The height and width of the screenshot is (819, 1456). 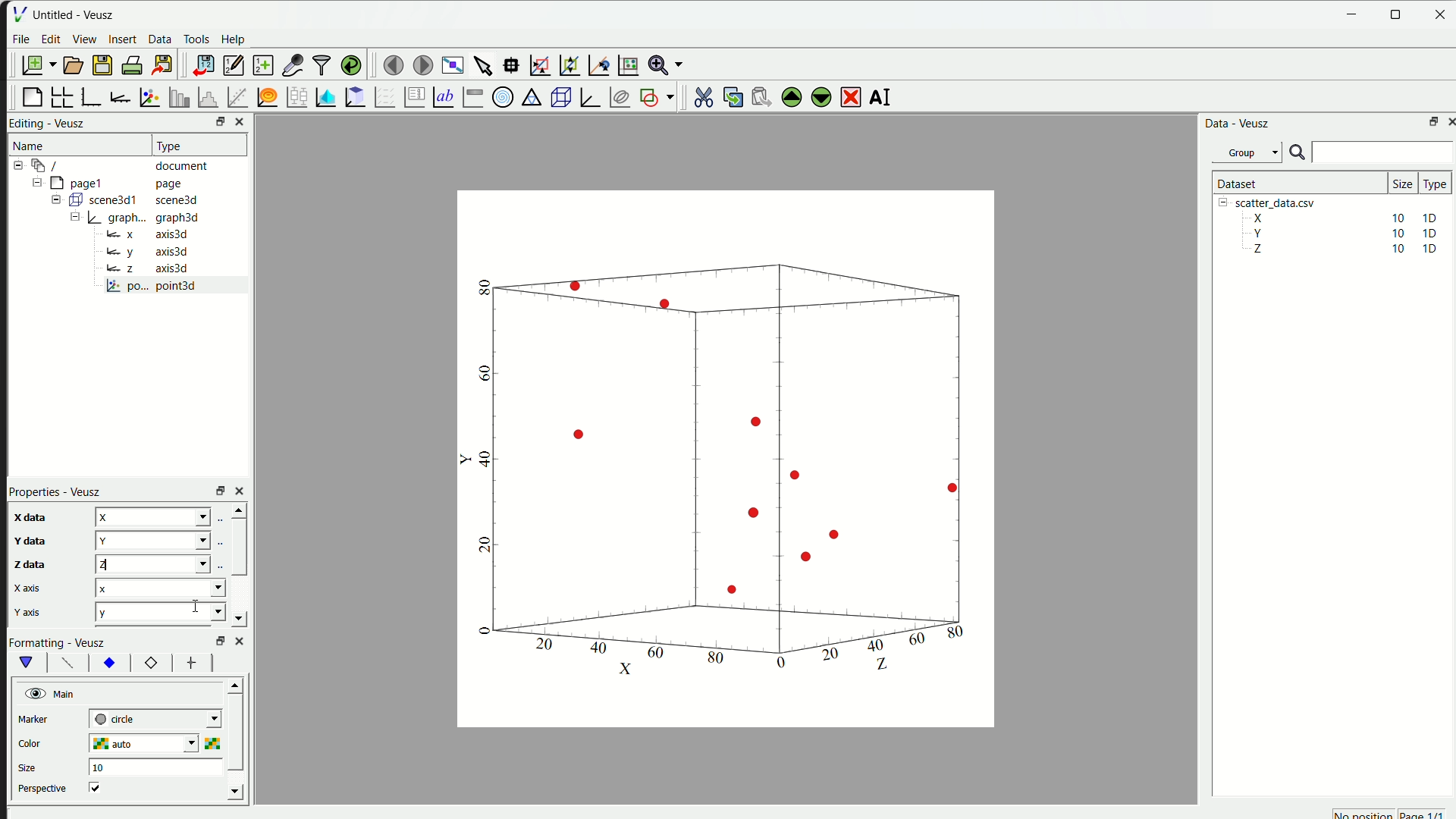 I want to click on po... point3d, so click(x=154, y=287).